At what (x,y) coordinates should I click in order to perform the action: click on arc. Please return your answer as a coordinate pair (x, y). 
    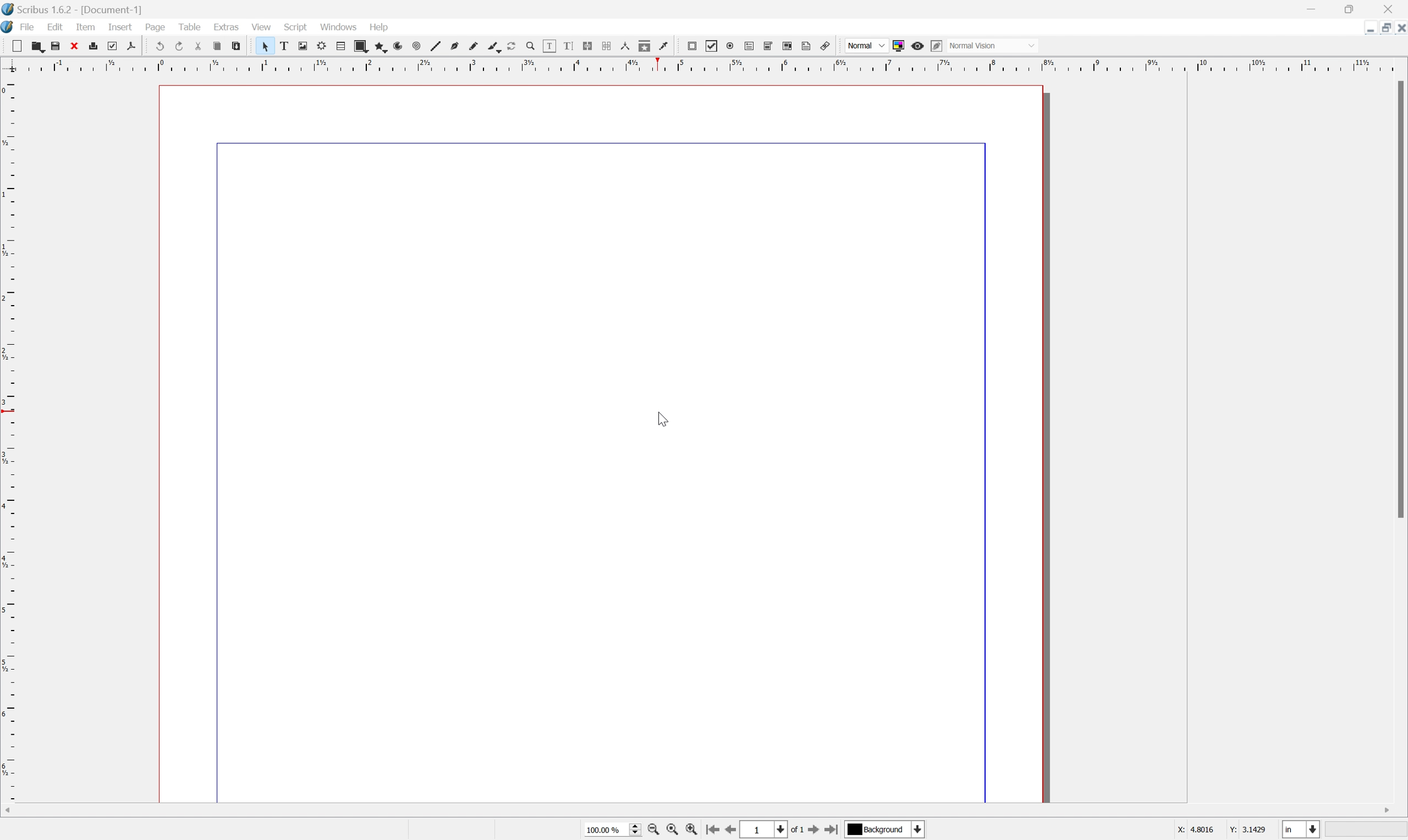
    Looking at the image, I should click on (397, 47).